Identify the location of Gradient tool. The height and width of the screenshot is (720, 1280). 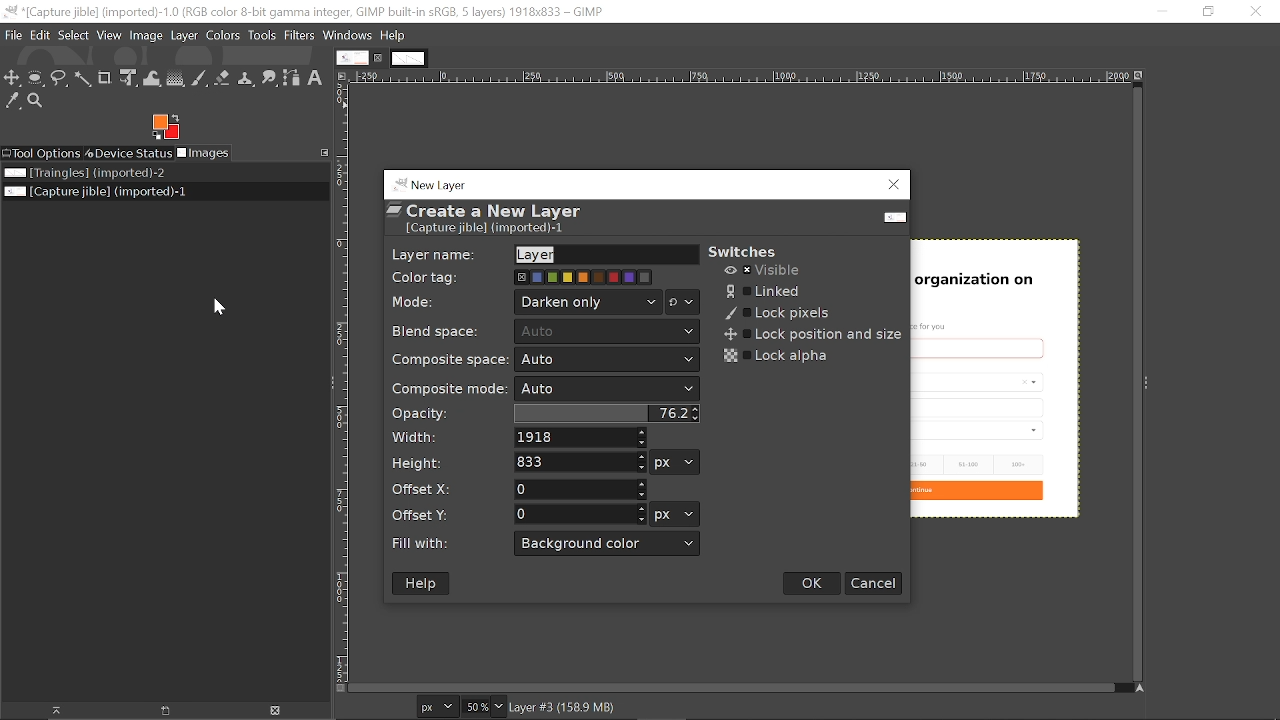
(175, 78).